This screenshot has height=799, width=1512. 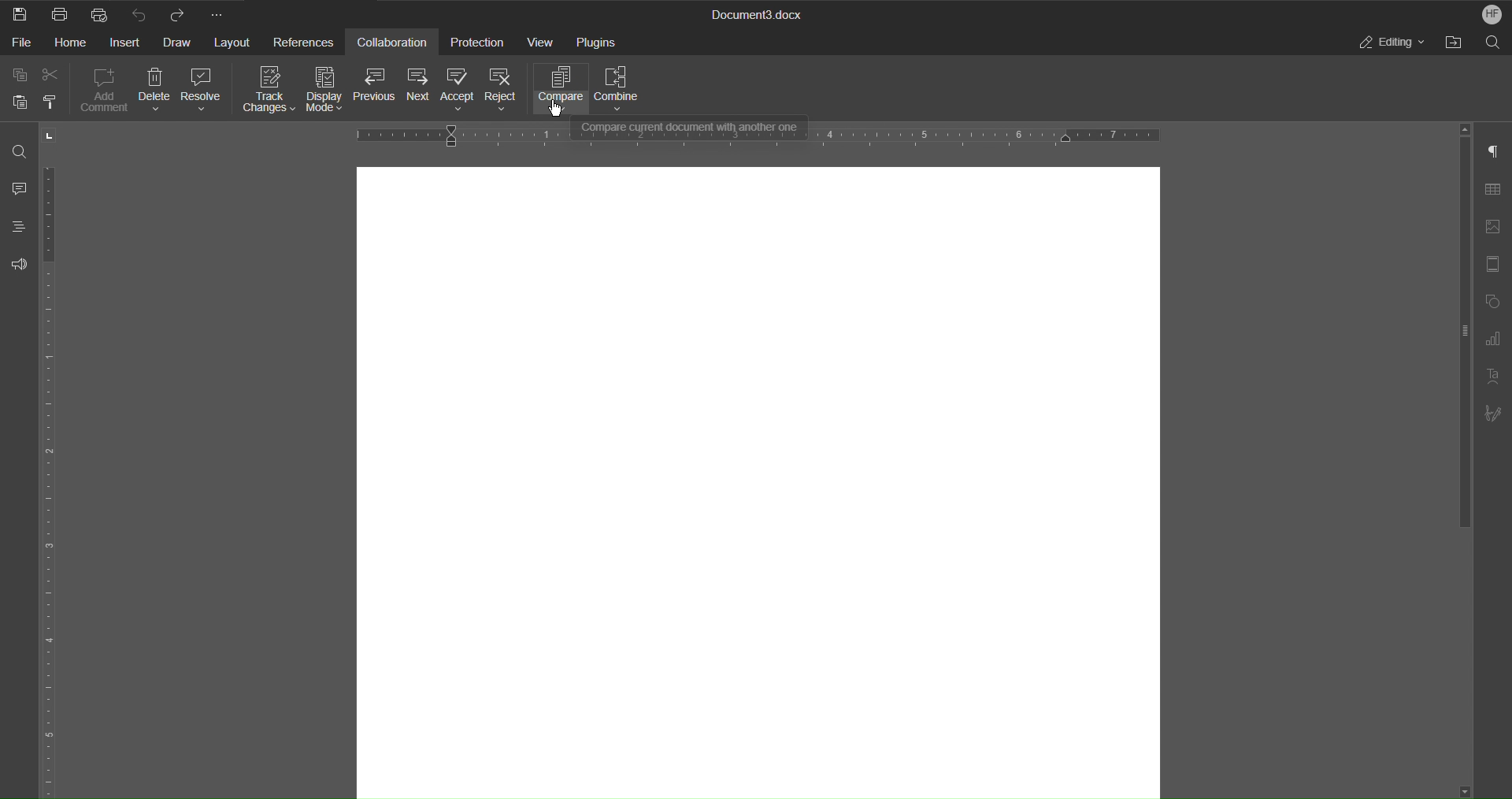 What do you see at coordinates (19, 15) in the screenshot?
I see `Save` at bounding box center [19, 15].